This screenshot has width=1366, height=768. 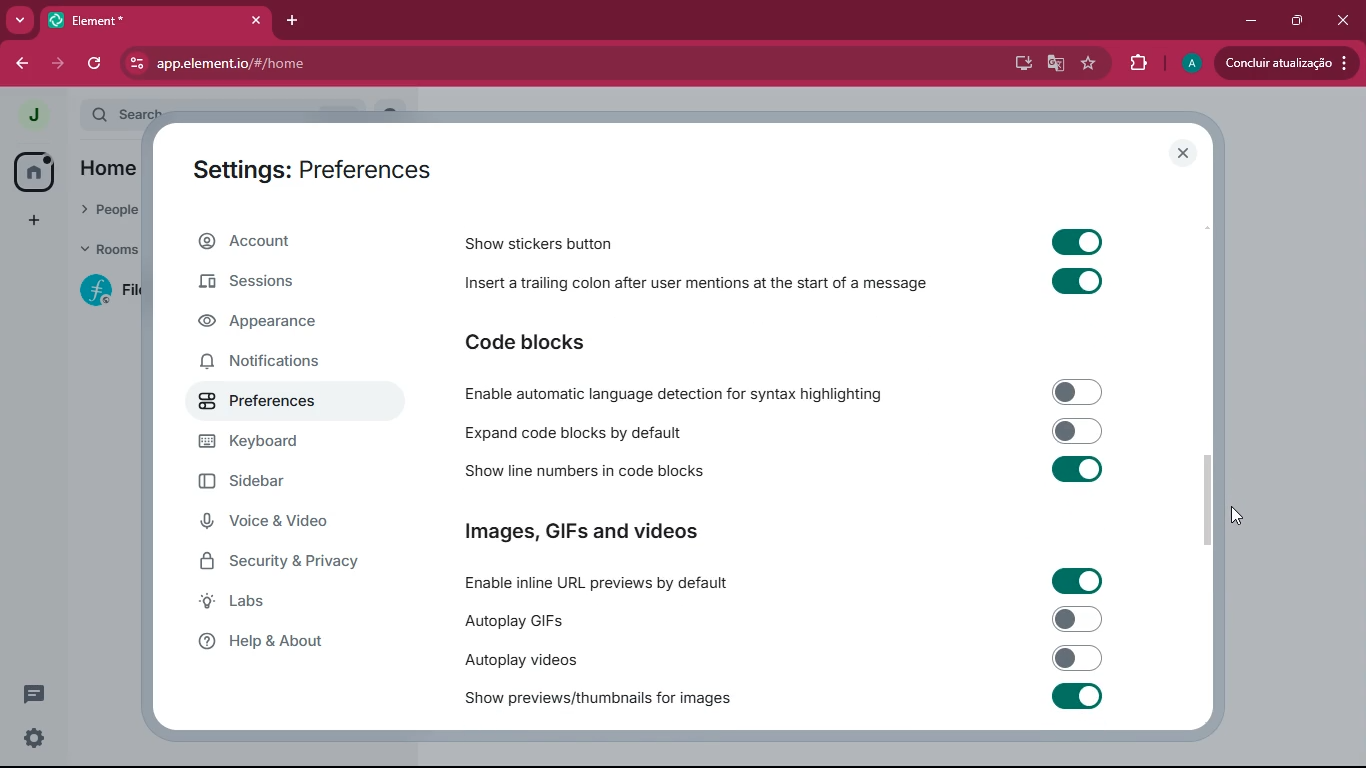 What do you see at coordinates (145, 21) in the screenshot?
I see `tab` at bounding box center [145, 21].